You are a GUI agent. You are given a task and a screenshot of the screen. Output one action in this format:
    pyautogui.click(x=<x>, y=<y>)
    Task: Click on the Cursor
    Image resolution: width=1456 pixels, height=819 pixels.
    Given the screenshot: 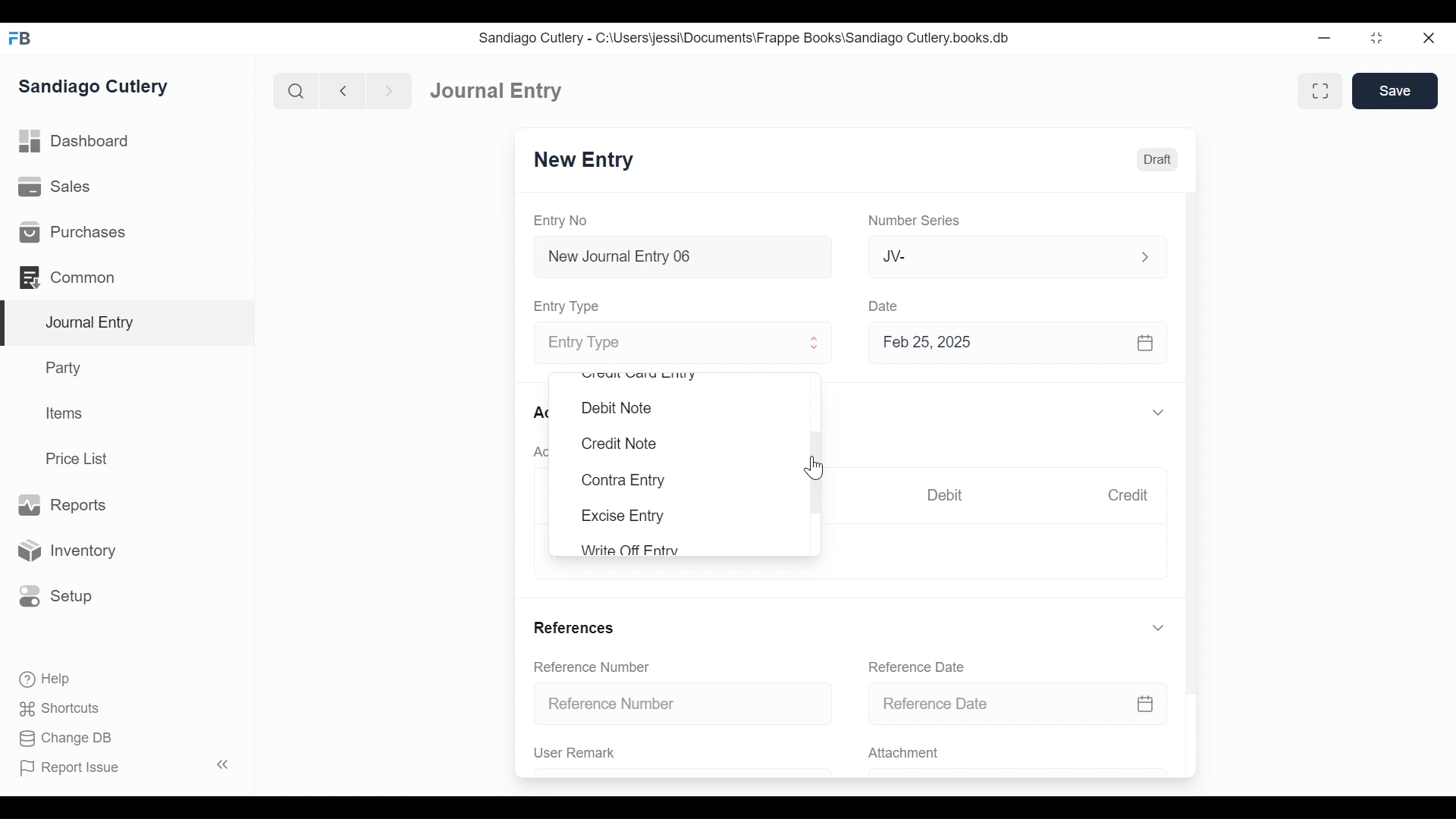 What is the action you would take?
    pyautogui.click(x=815, y=467)
    